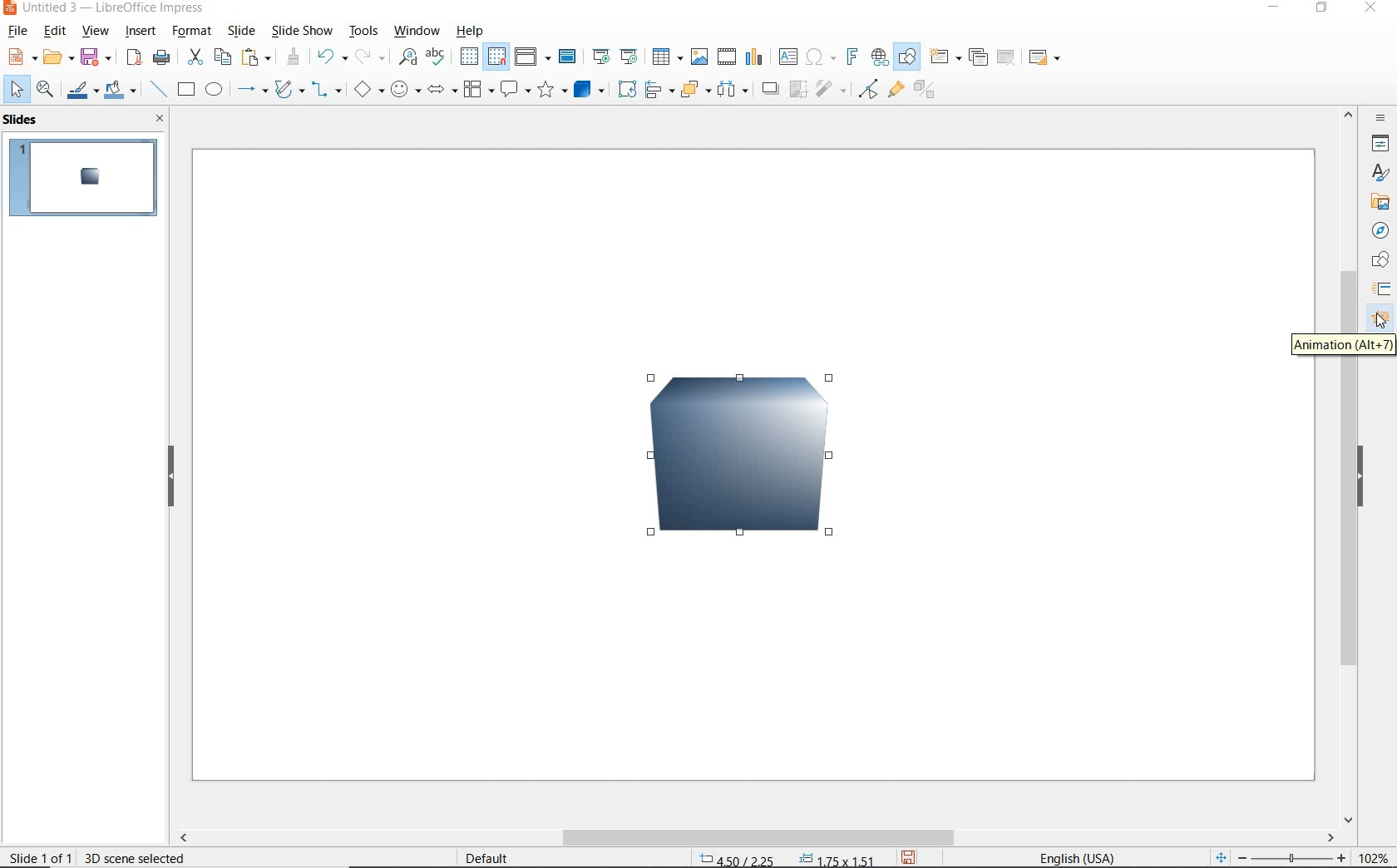 This screenshot has height=868, width=1397. I want to click on master slide, so click(570, 57).